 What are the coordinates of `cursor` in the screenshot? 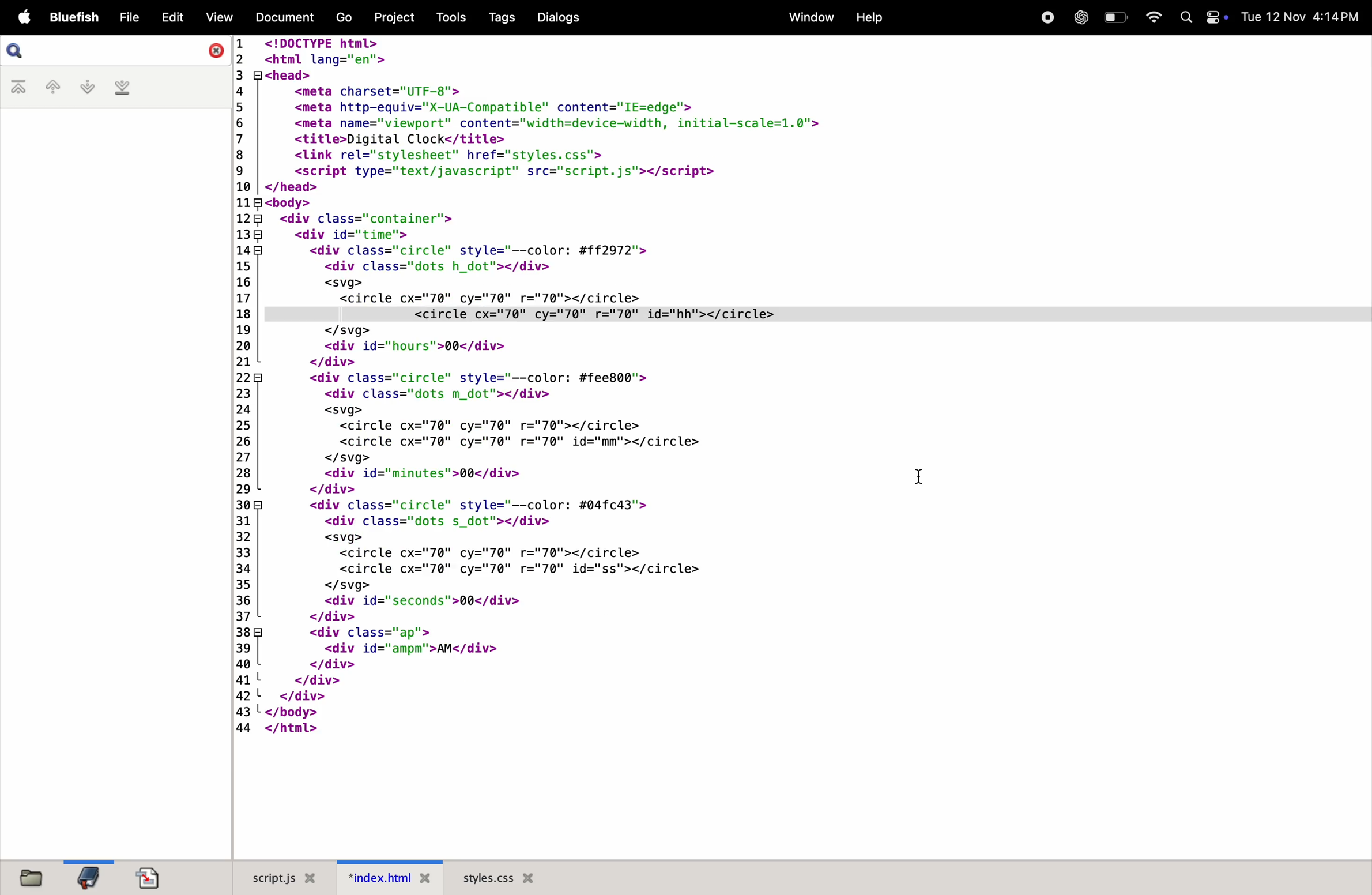 It's located at (921, 478).